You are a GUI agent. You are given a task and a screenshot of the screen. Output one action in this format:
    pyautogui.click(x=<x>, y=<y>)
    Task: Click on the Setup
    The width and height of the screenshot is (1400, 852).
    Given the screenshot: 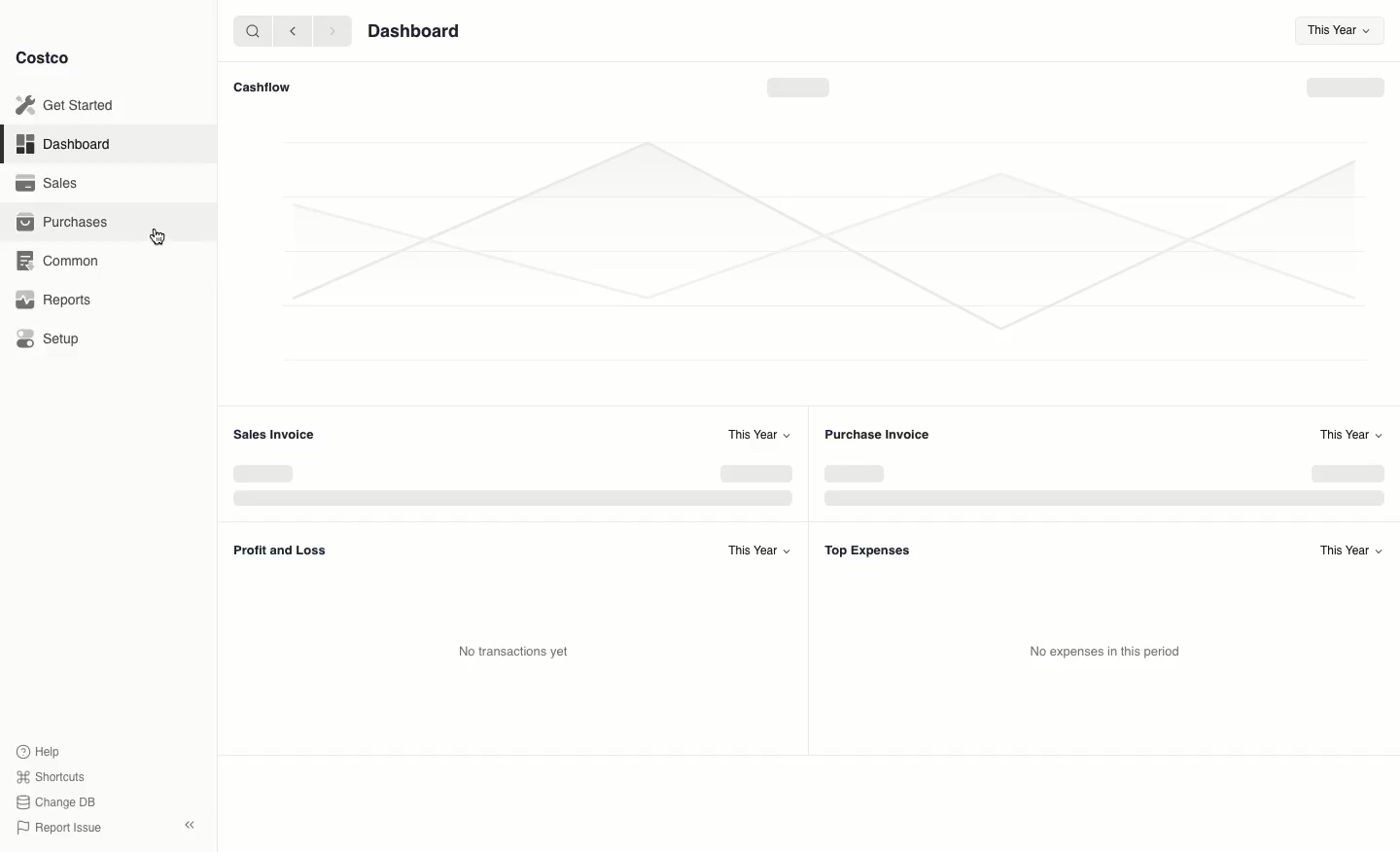 What is the action you would take?
    pyautogui.click(x=51, y=337)
    